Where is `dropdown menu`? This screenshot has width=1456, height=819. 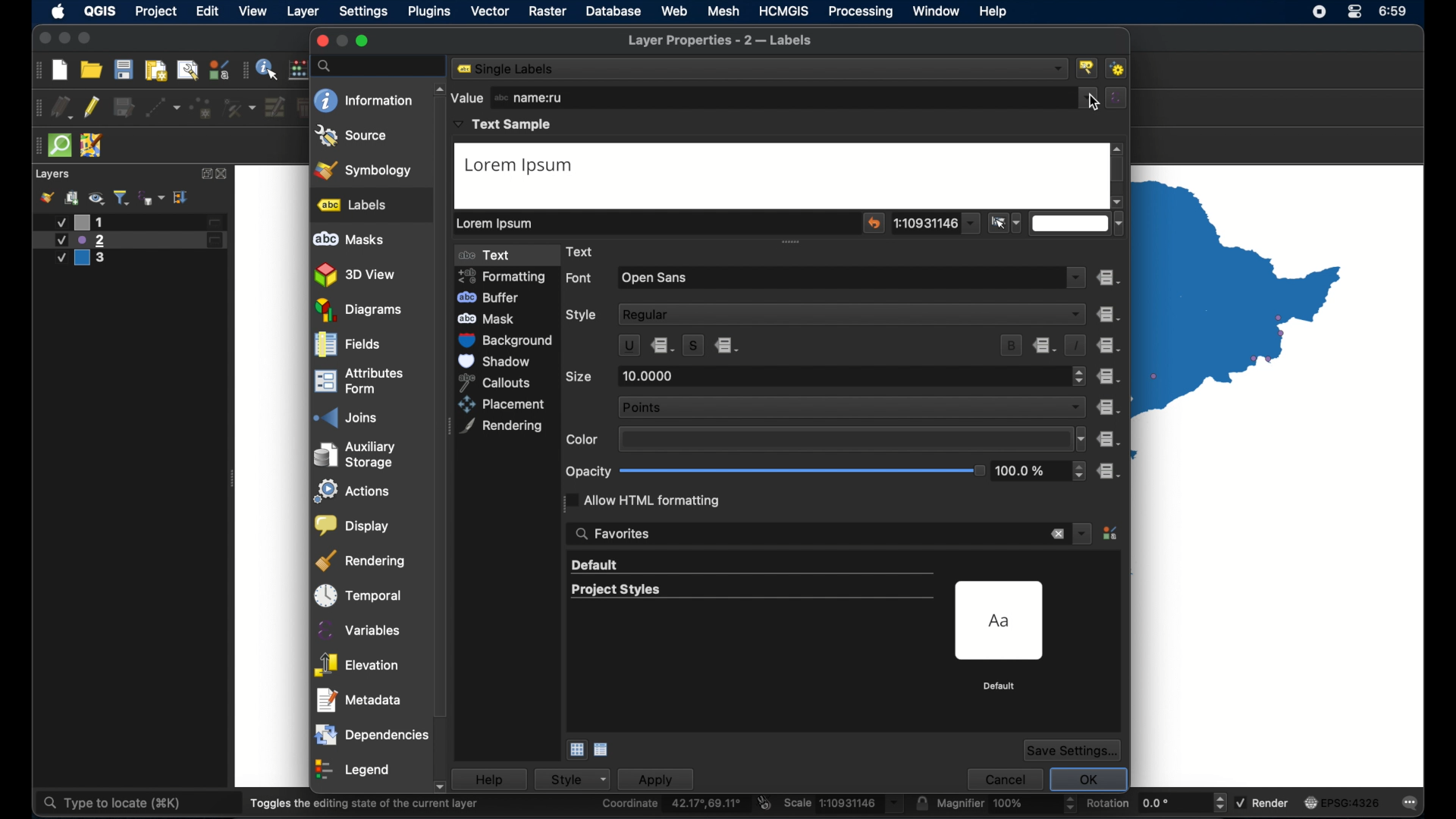 dropdown menu is located at coordinates (1088, 98).